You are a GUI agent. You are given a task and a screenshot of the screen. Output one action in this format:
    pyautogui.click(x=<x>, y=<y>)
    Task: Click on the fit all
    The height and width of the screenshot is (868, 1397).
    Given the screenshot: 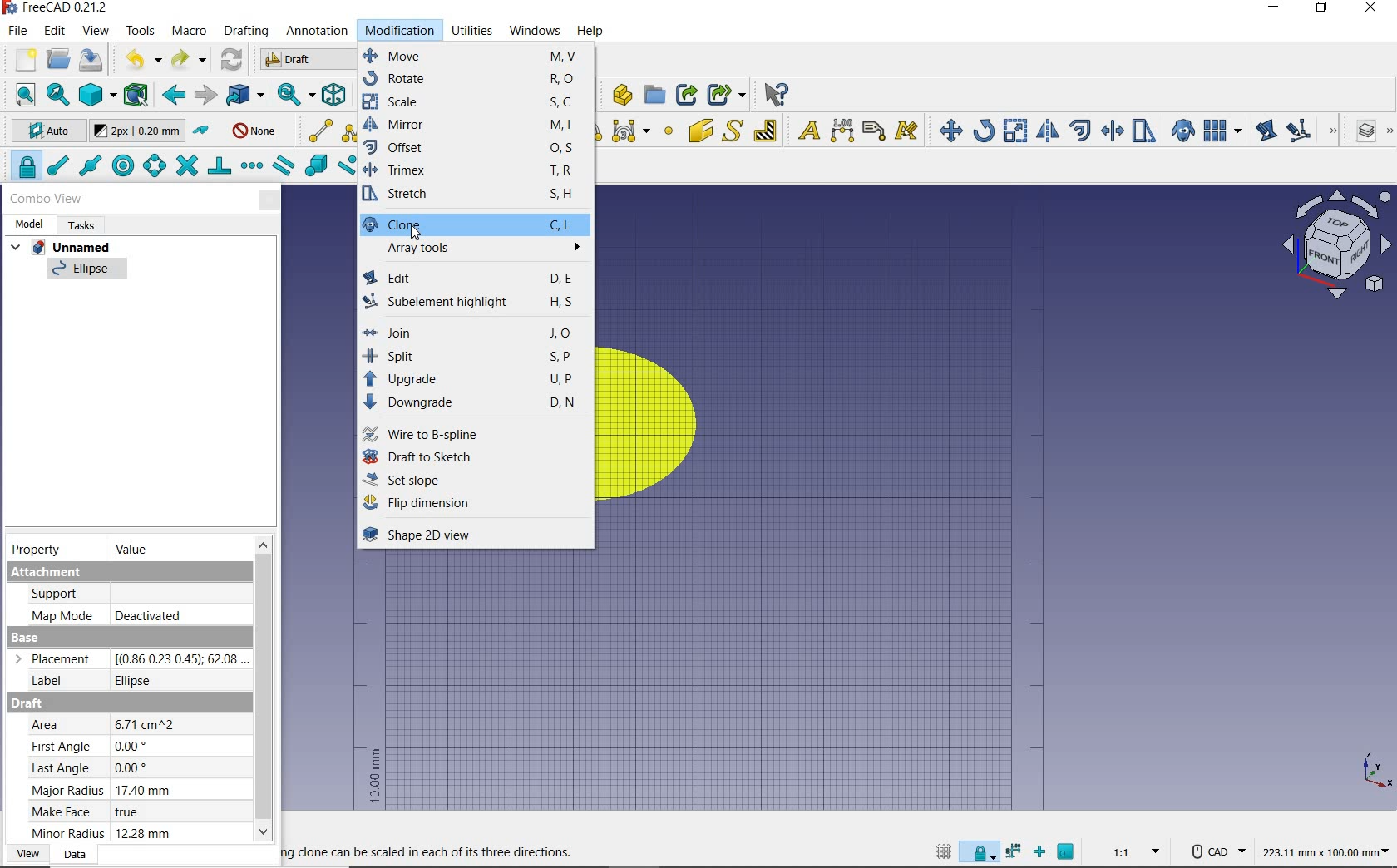 What is the action you would take?
    pyautogui.click(x=19, y=94)
    